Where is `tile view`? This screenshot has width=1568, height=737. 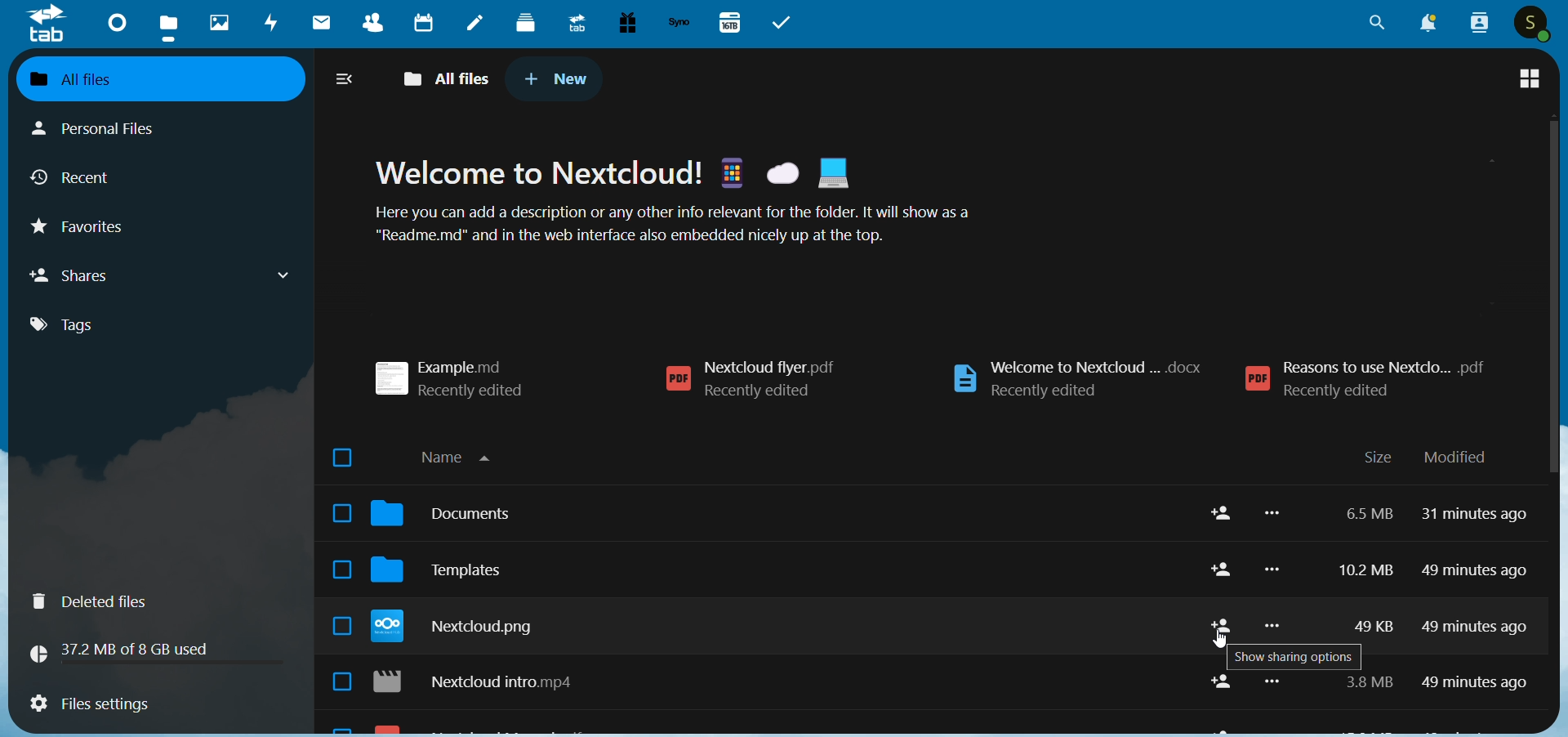
tile view is located at coordinates (1528, 80).